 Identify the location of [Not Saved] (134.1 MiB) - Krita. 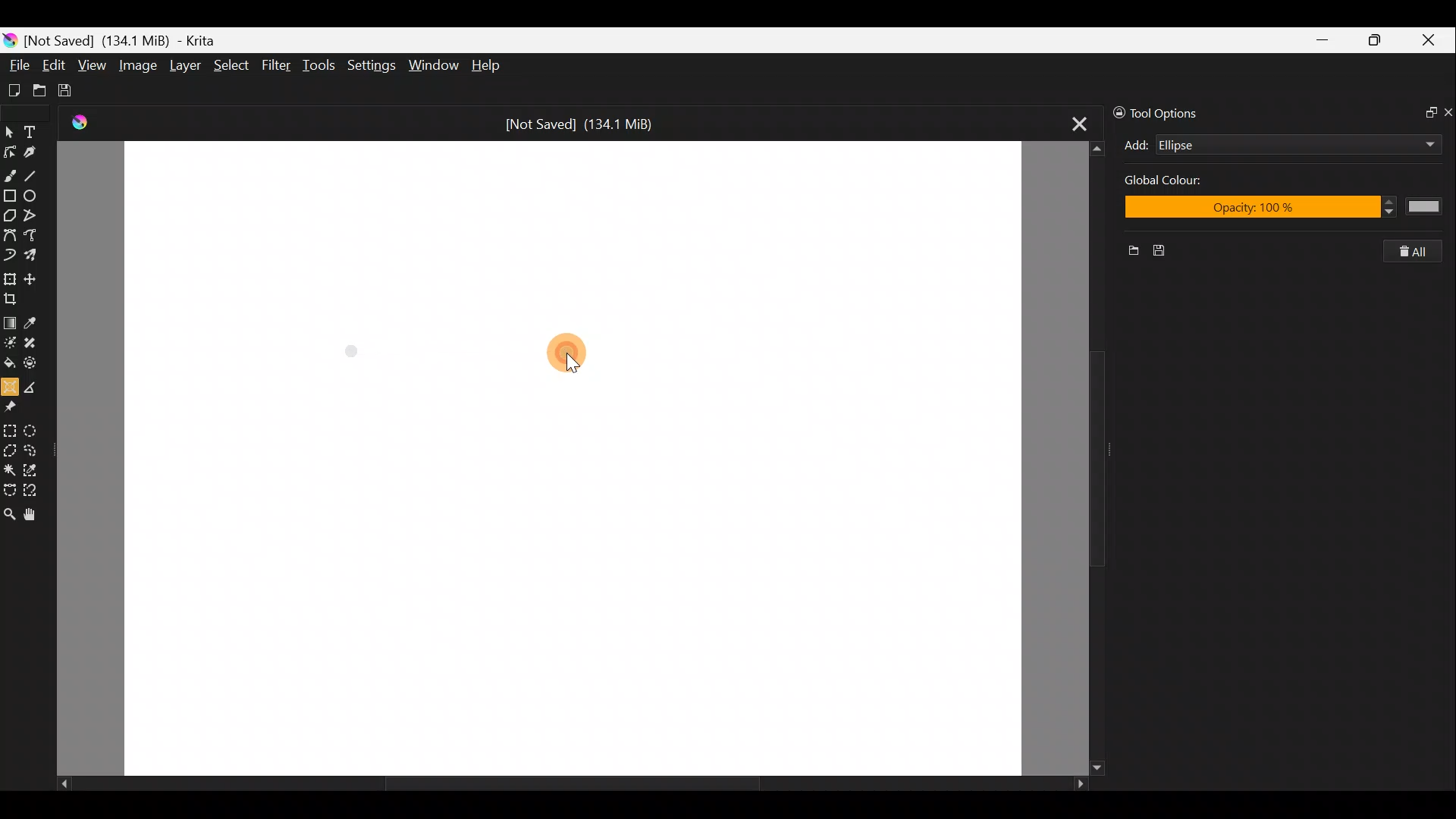
(132, 41).